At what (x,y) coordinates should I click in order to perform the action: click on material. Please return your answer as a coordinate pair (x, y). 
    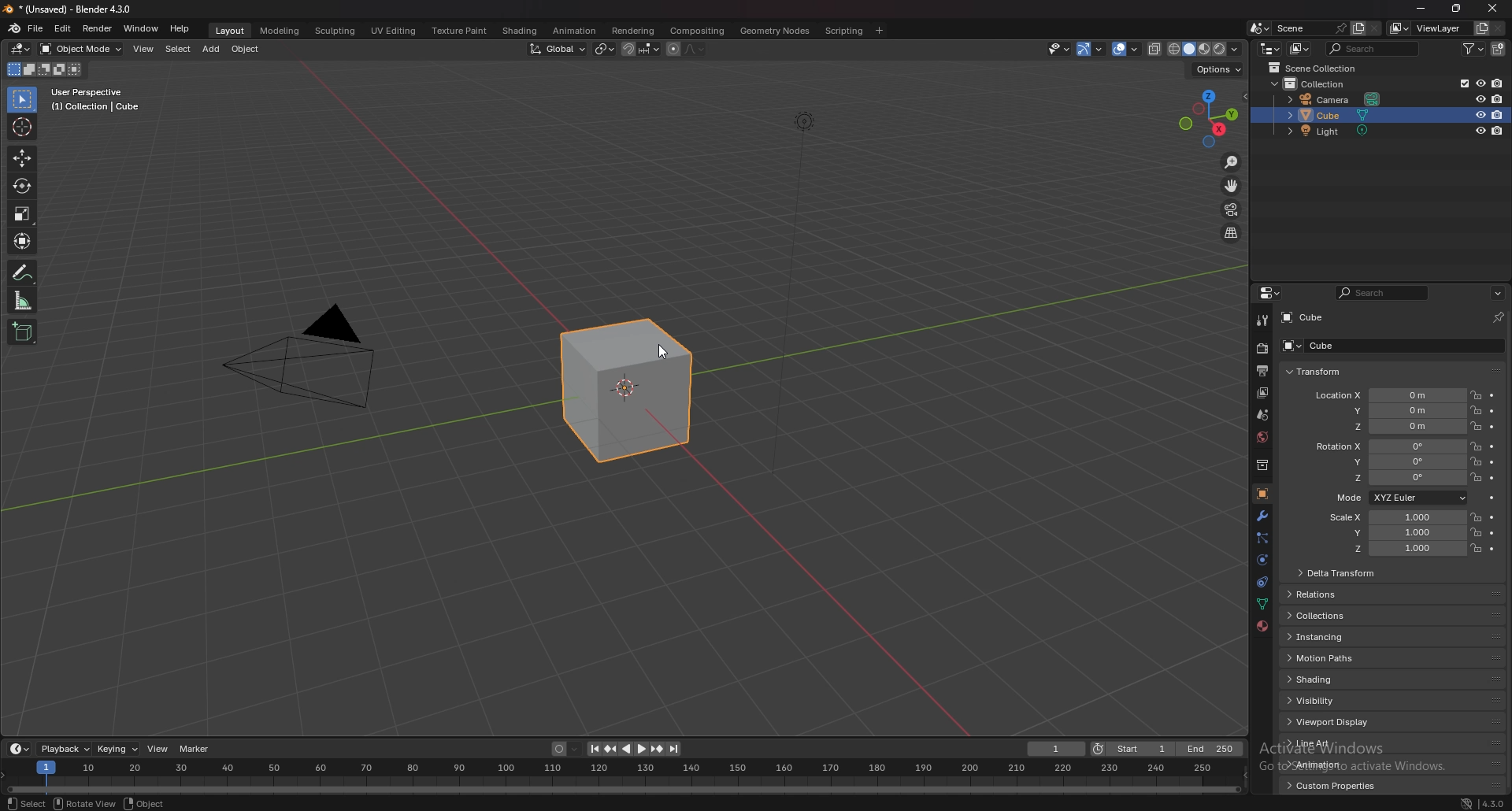
    Looking at the image, I should click on (1264, 624).